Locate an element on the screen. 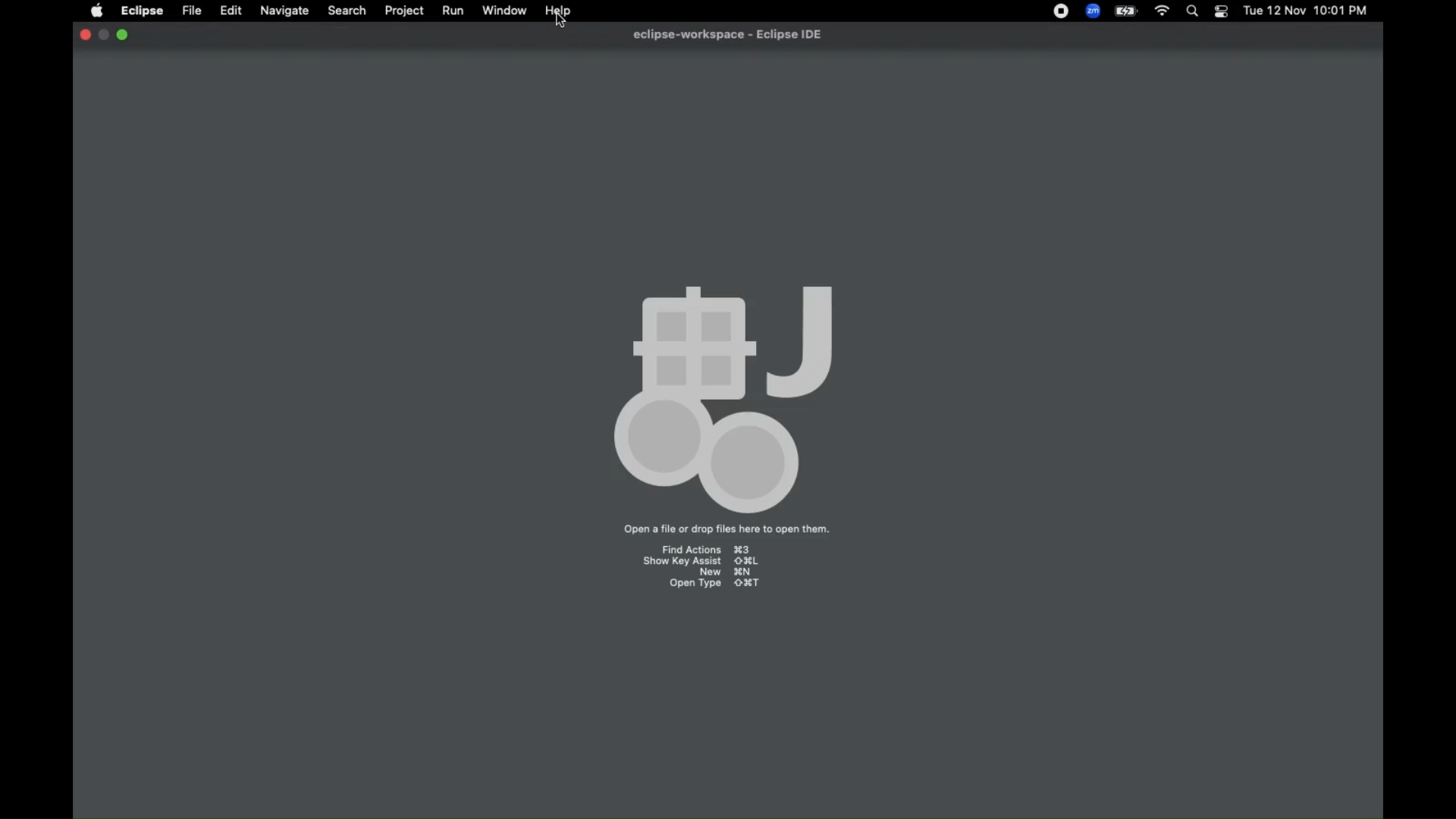 The height and width of the screenshot is (819, 1456). Tue 12 nov is located at coordinates (1272, 12).